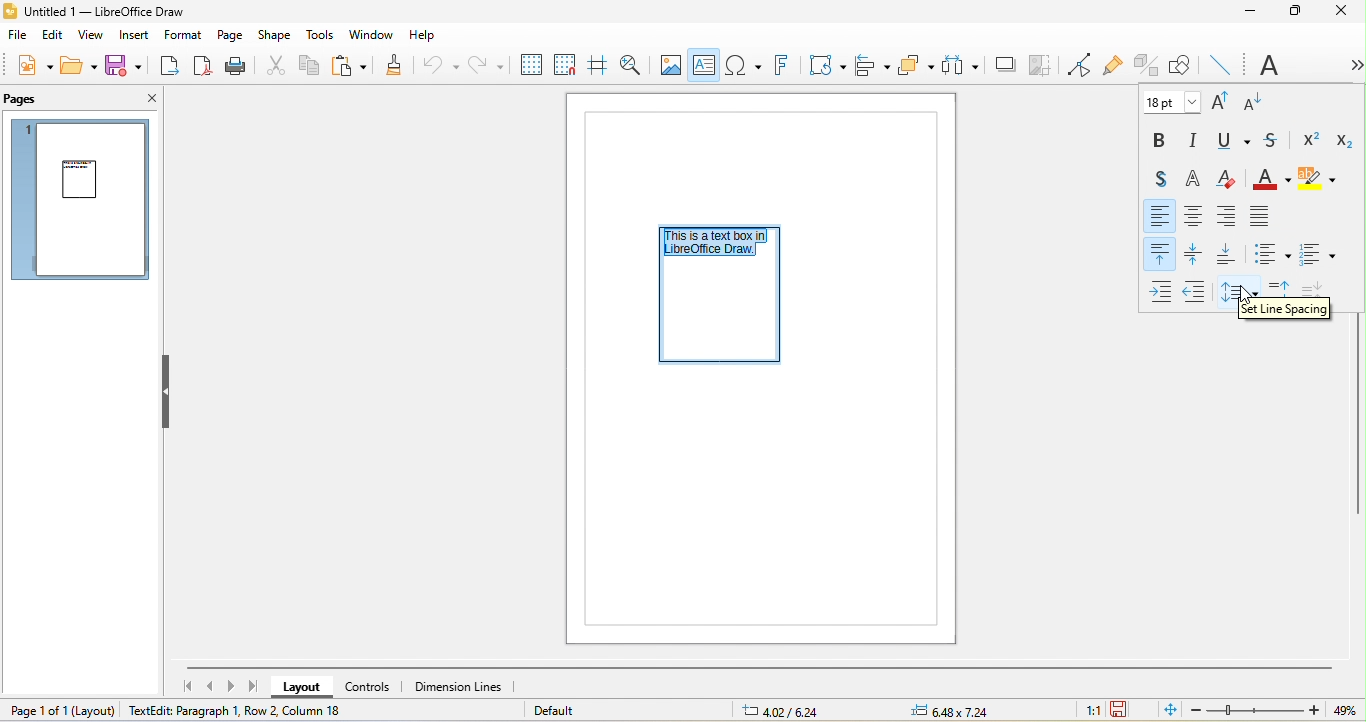  Describe the element at coordinates (1315, 285) in the screenshot. I see `decrease paragraph spacing` at that location.